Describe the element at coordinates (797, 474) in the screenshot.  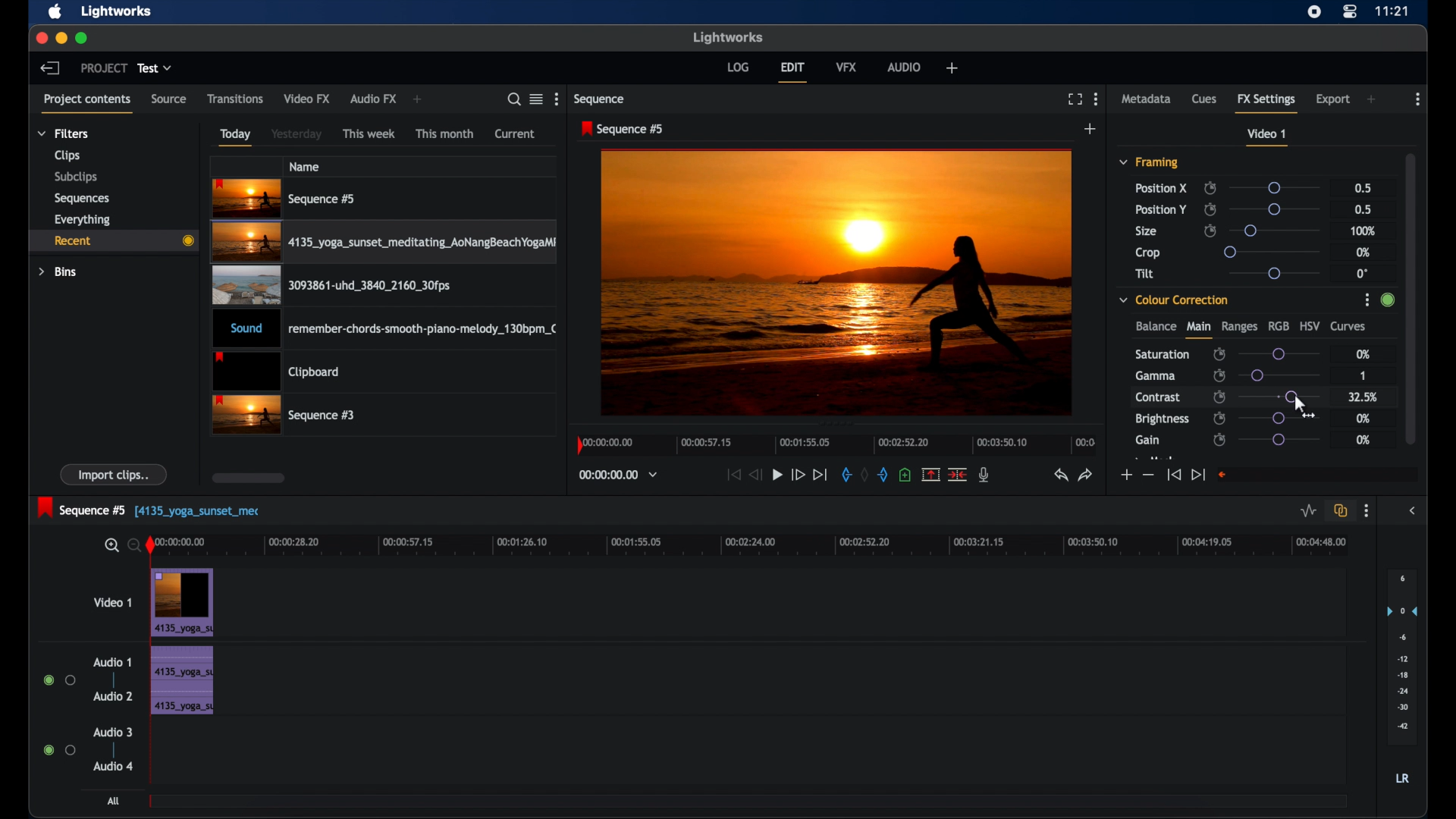
I see `fast forward` at that location.